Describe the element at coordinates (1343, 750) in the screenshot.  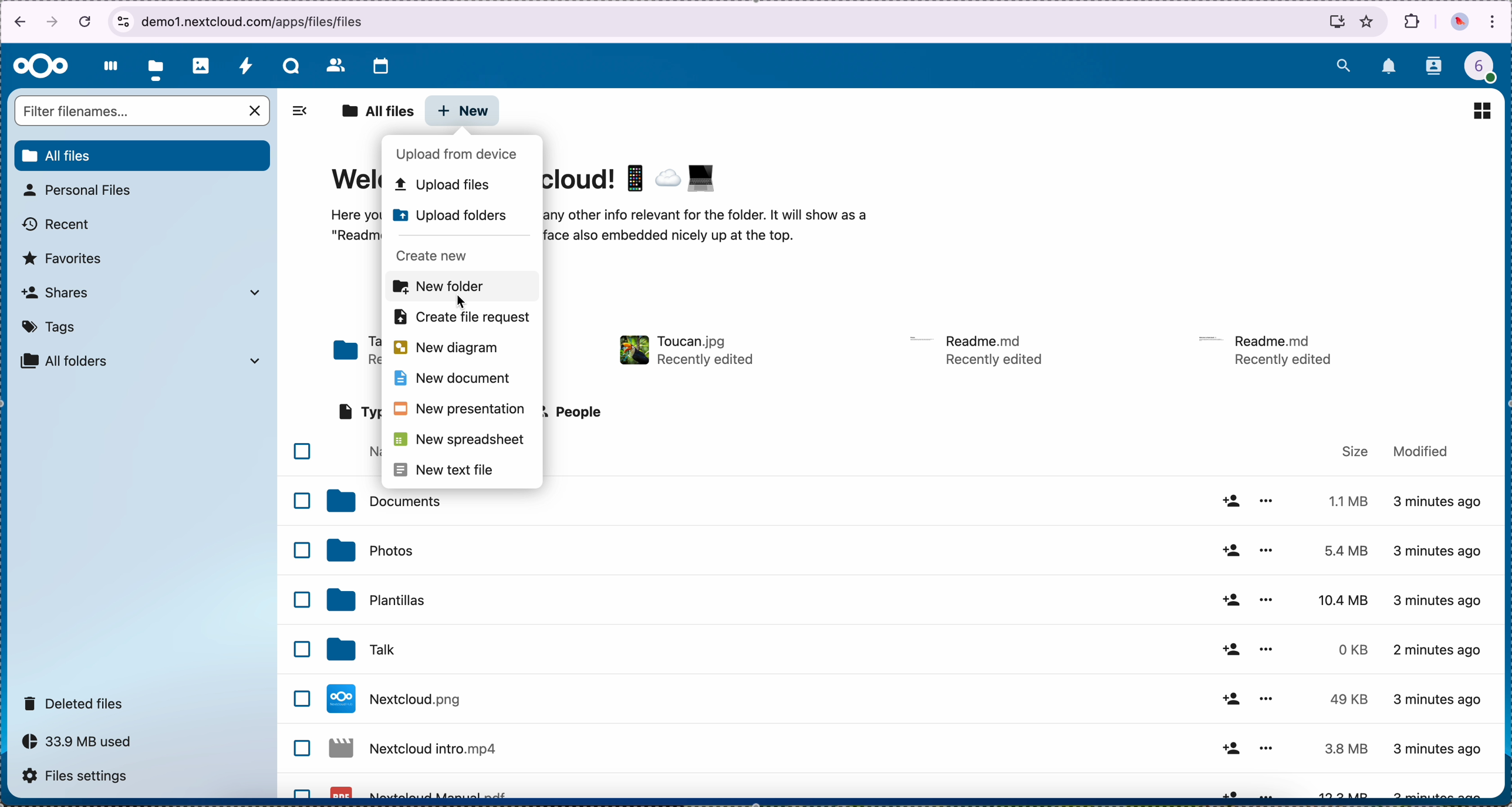
I see `3.8 MB` at that location.